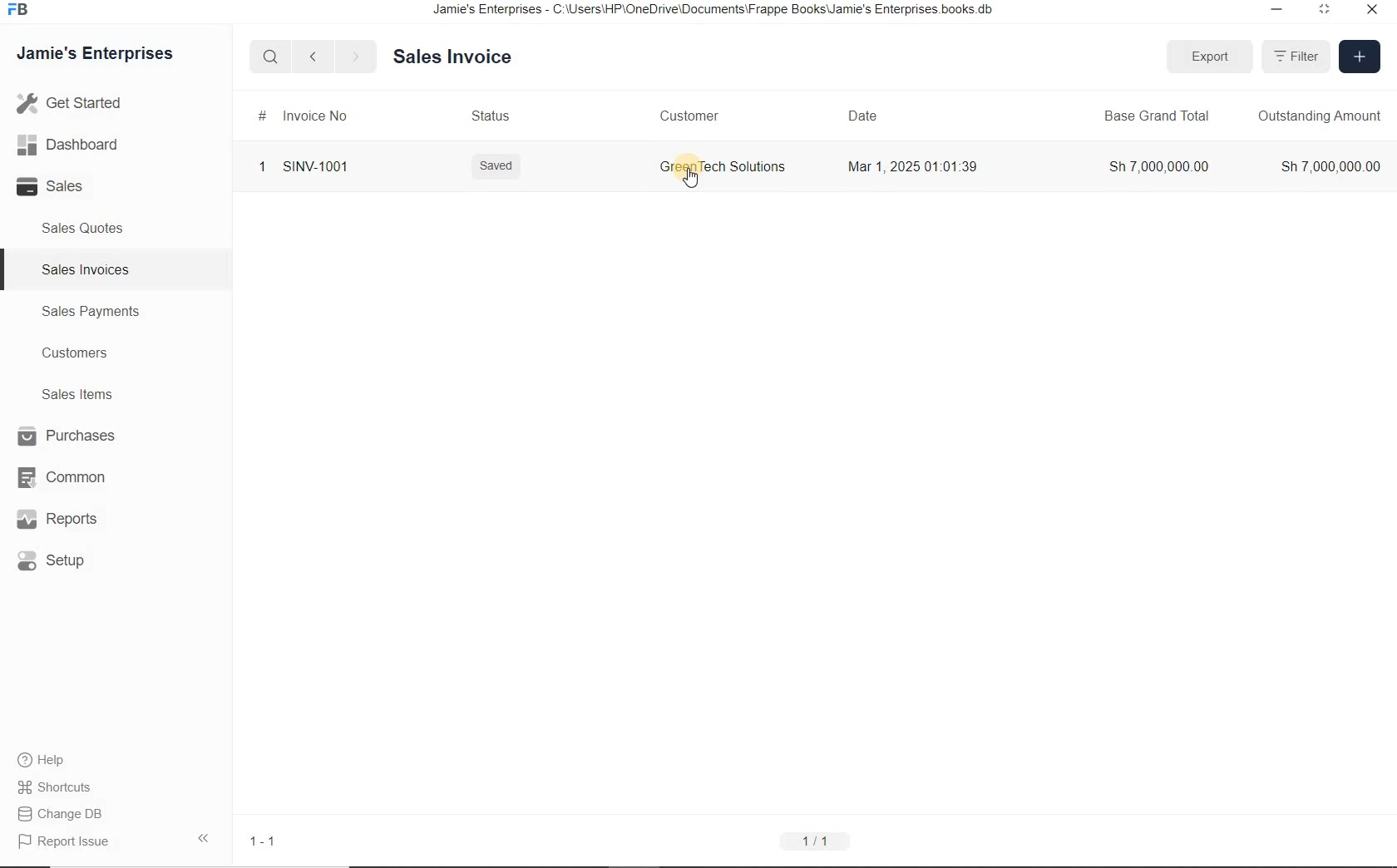  I want to click on Report Issue, so click(62, 842).